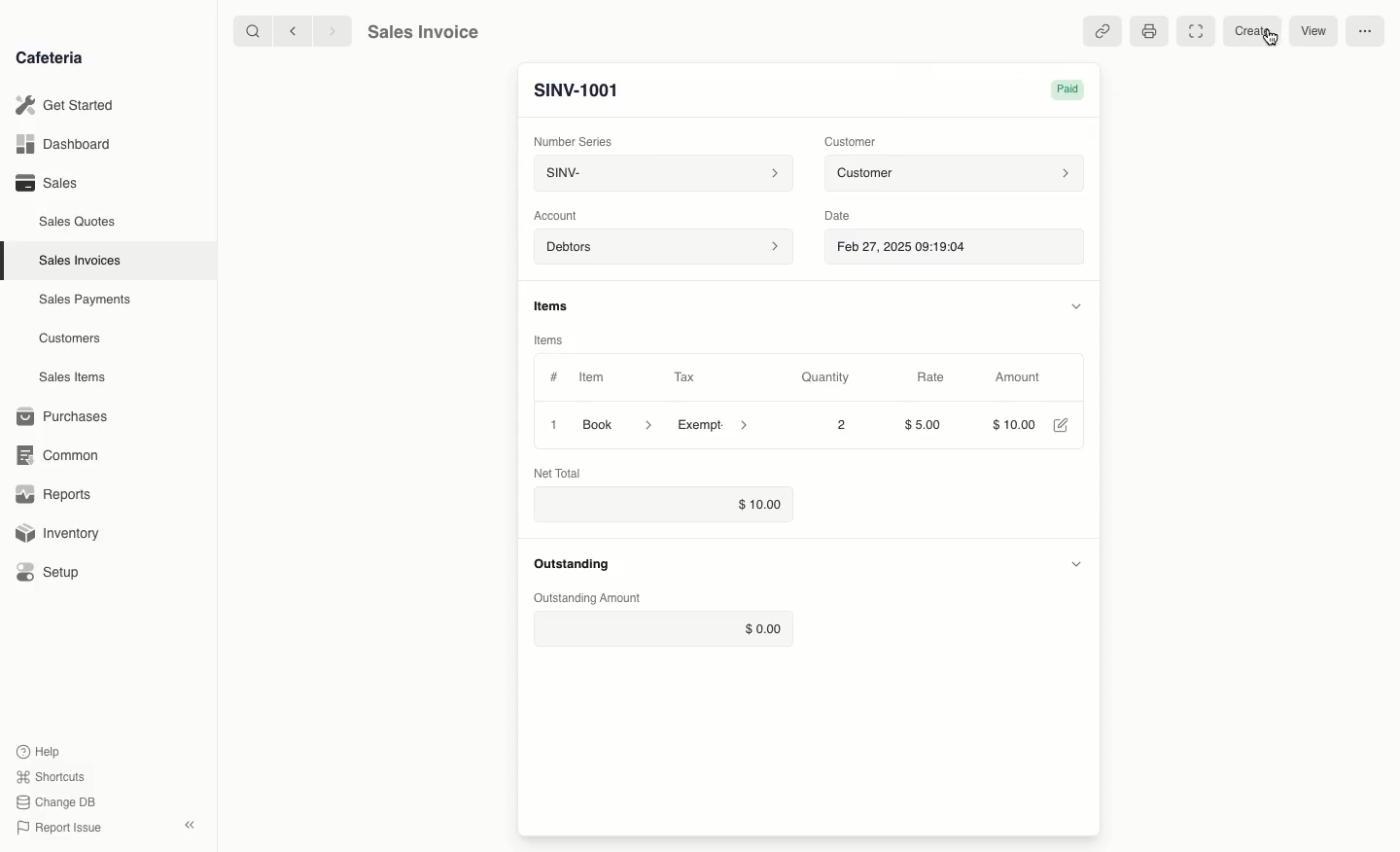  What do you see at coordinates (850, 142) in the screenshot?
I see `‘Customer` at bounding box center [850, 142].